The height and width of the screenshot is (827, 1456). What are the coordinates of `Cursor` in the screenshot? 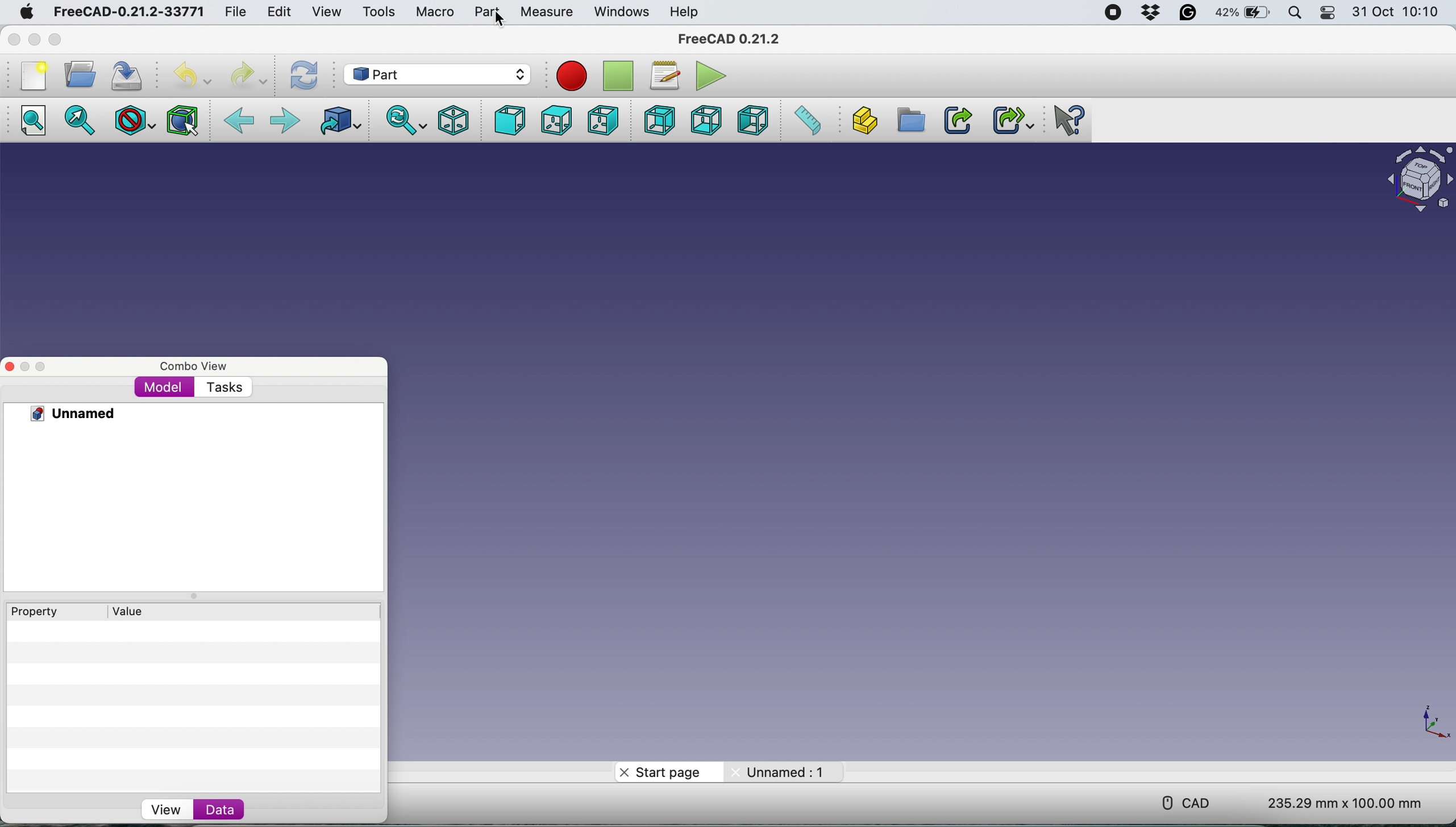 It's located at (499, 23).